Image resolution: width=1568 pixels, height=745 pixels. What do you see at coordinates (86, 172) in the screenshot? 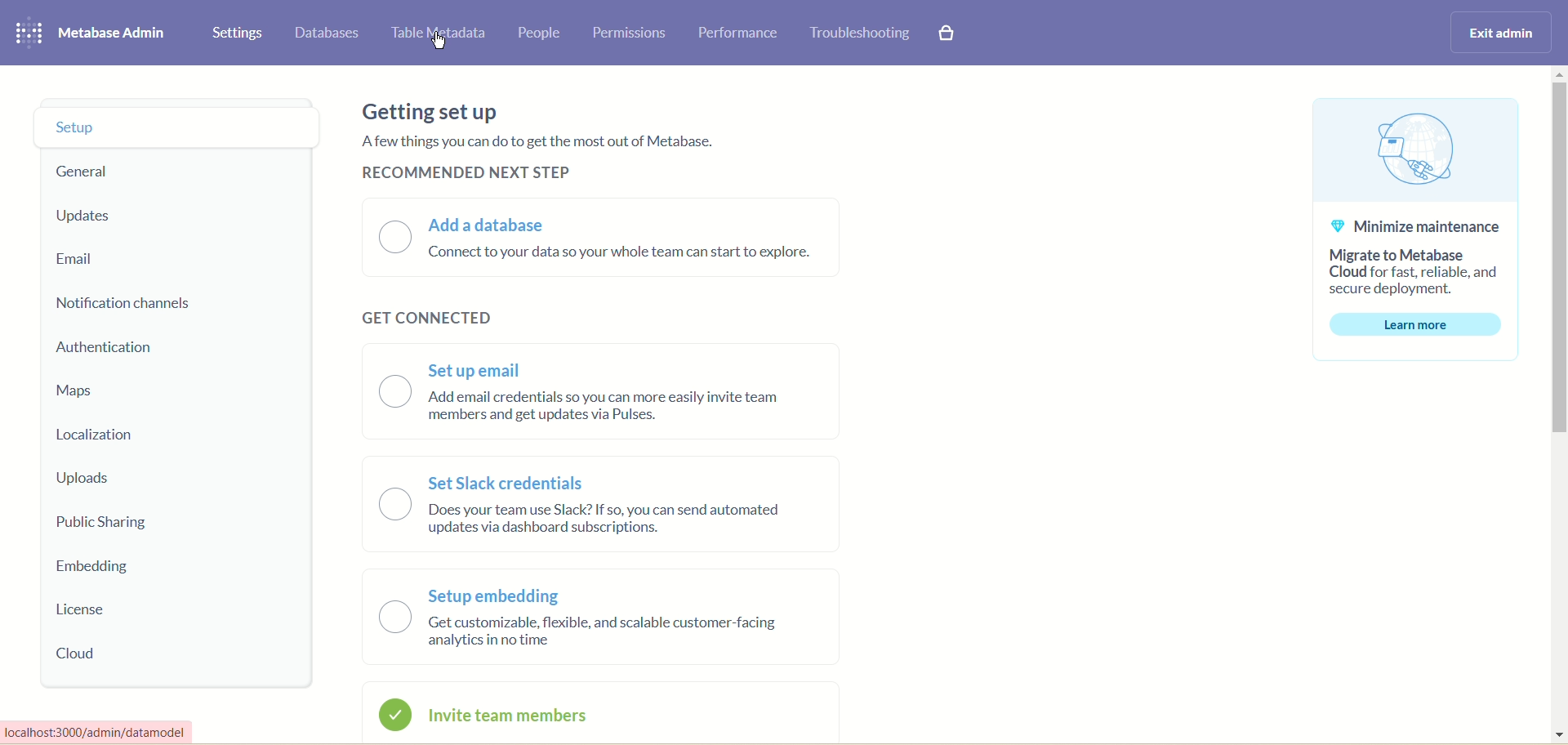
I see `general` at bounding box center [86, 172].